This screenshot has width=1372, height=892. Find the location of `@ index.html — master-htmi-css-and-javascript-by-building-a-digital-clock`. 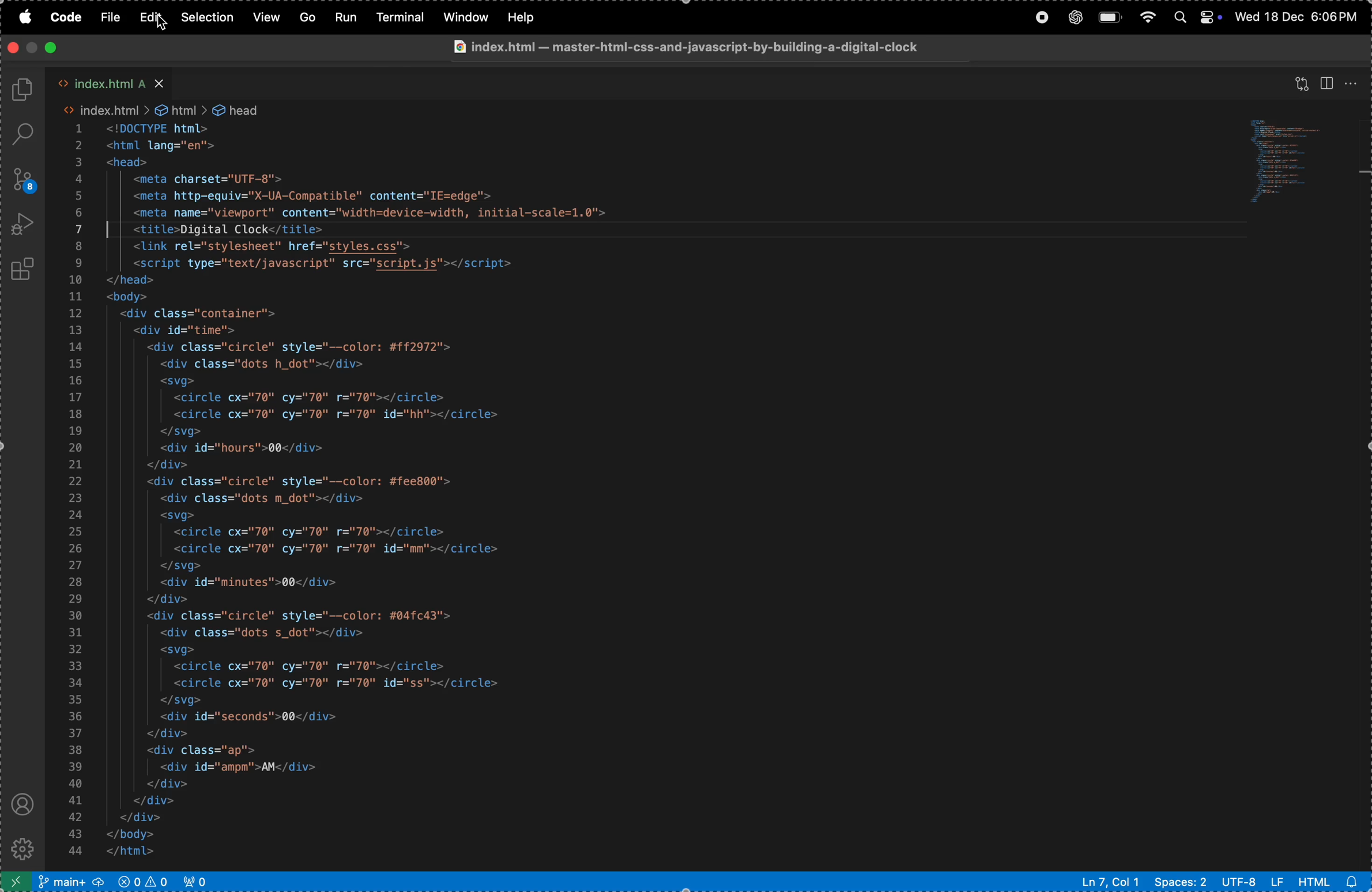

@ index.html — master-htmi-css-and-javascript-by-building-a-digital-clock is located at coordinates (684, 46).